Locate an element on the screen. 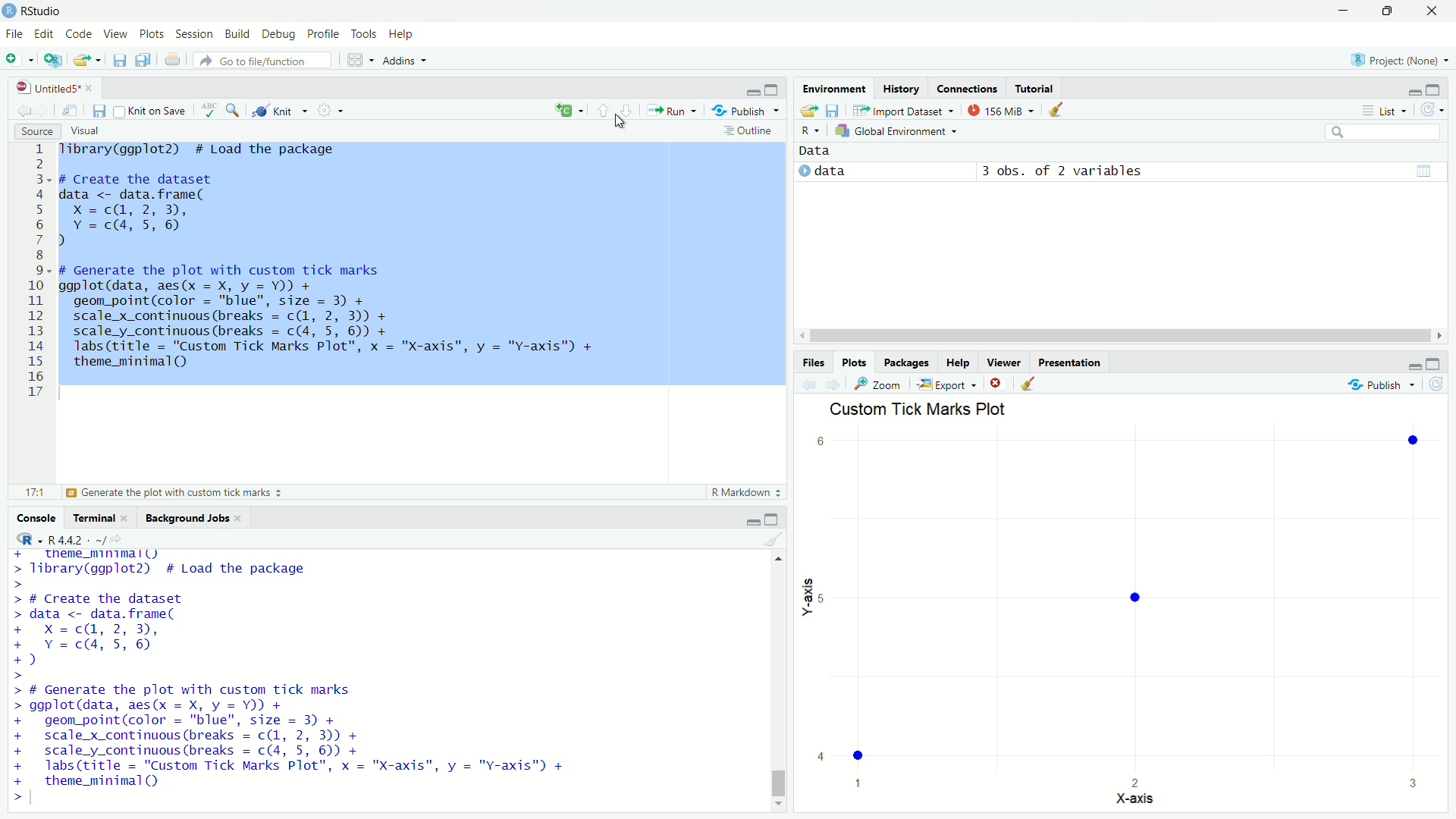 This screenshot has height=819, width=1456. packages is located at coordinates (907, 362).